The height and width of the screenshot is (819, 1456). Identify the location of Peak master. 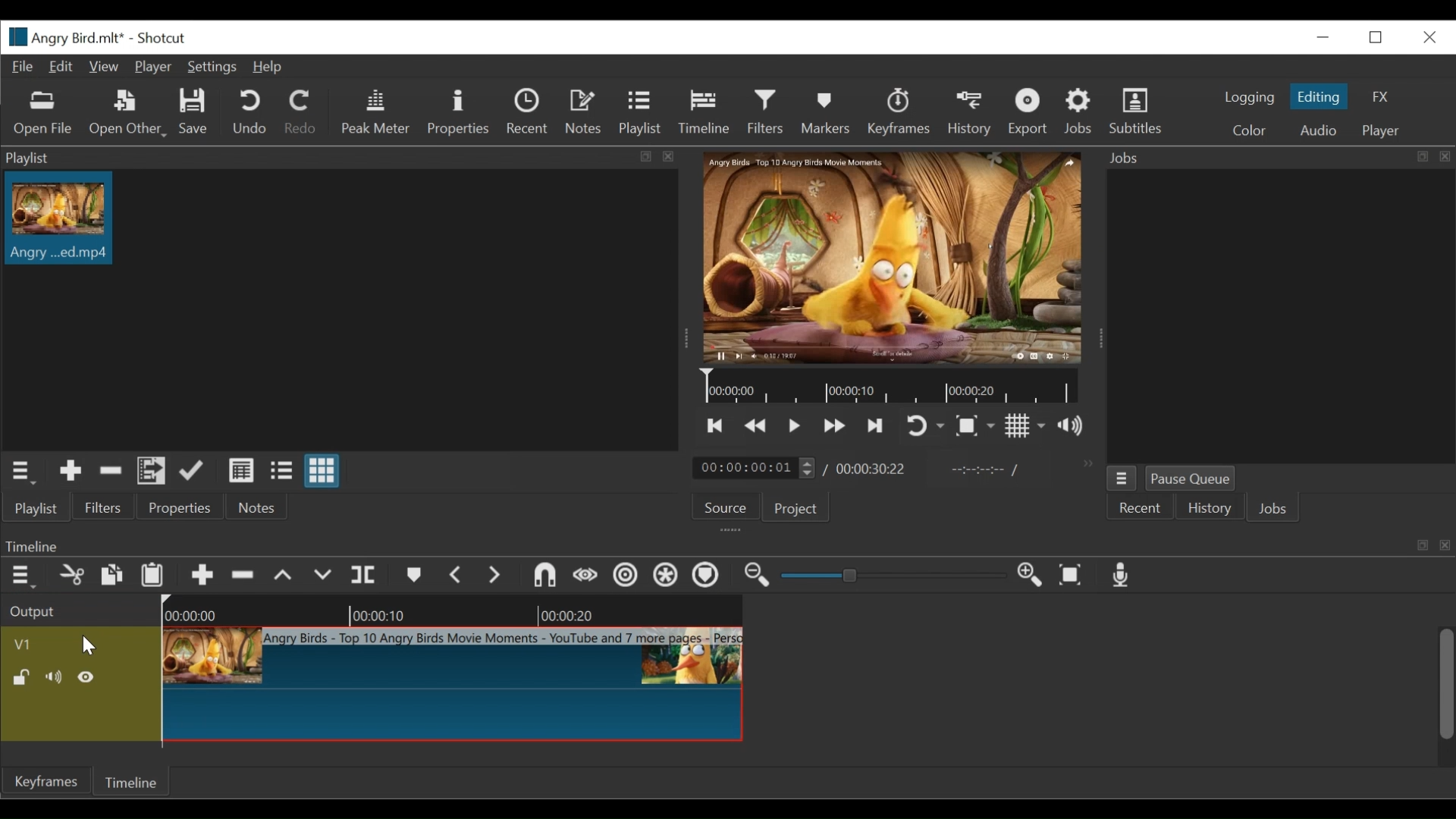
(377, 114).